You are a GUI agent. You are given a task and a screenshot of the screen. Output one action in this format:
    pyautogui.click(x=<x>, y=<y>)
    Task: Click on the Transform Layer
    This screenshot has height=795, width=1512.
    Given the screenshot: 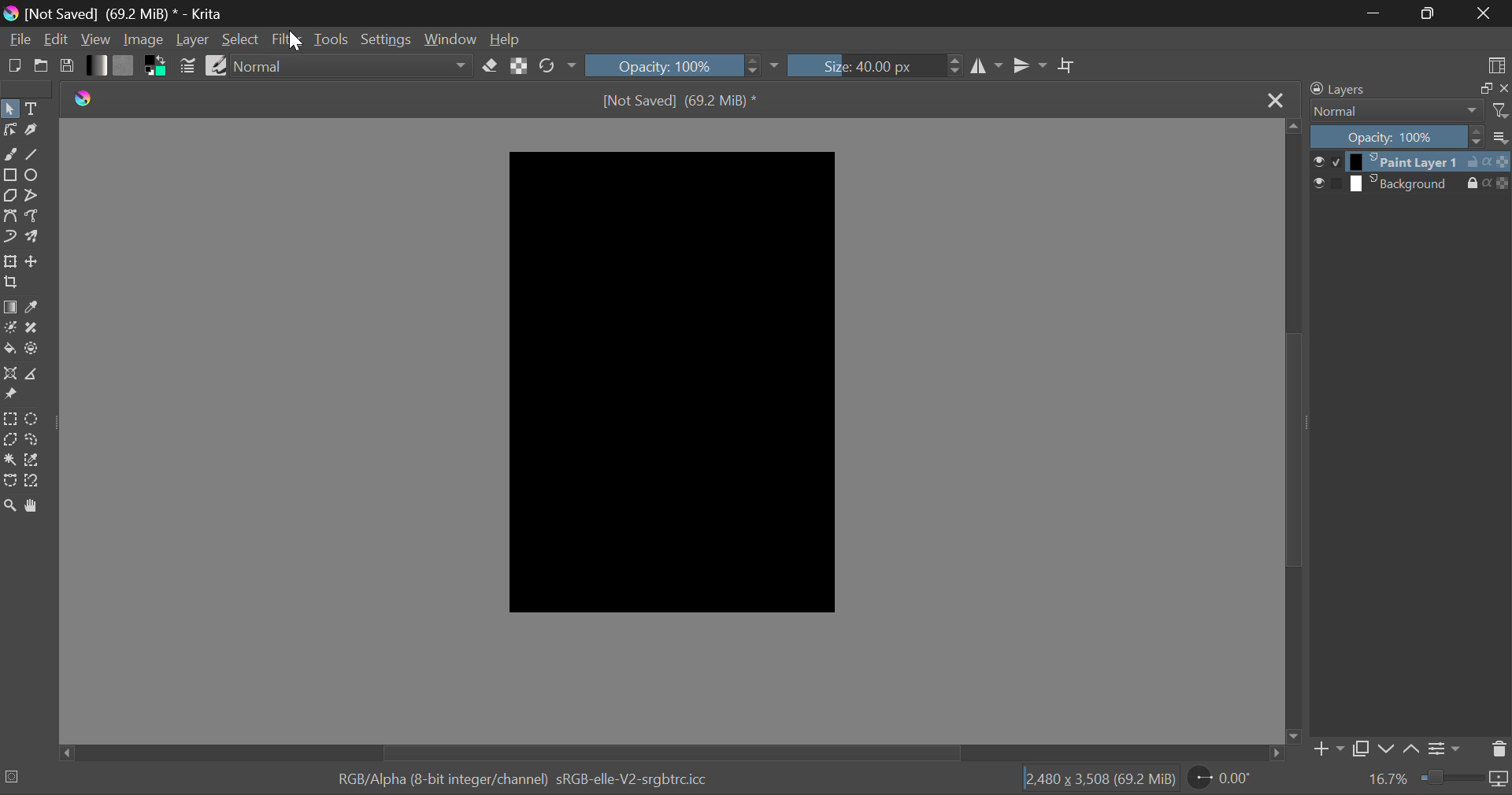 What is the action you would take?
    pyautogui.click(x=10, y=261)
    